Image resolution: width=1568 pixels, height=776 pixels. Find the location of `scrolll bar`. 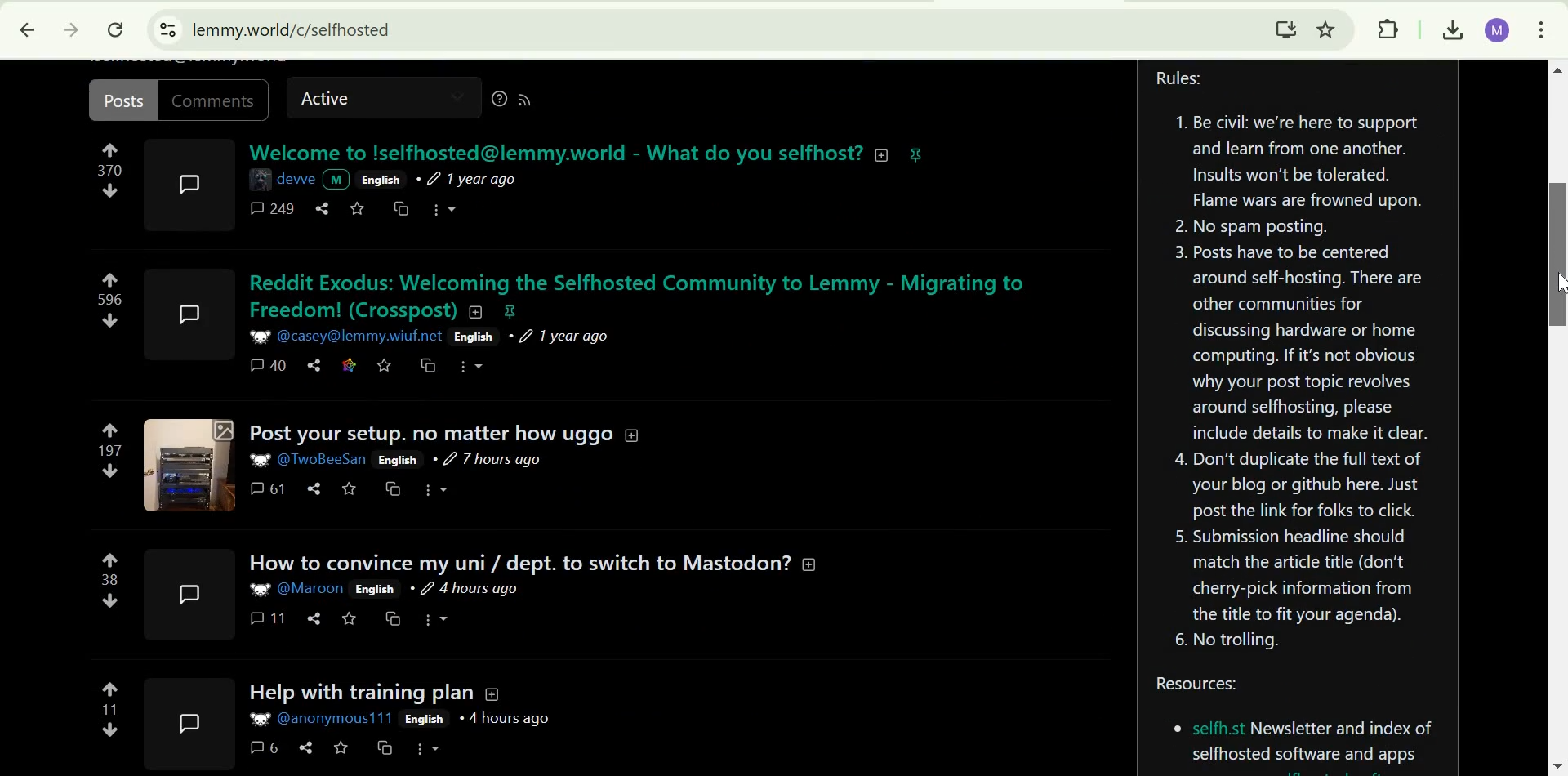

scrolll bar is located at coordinates (1558, 254).